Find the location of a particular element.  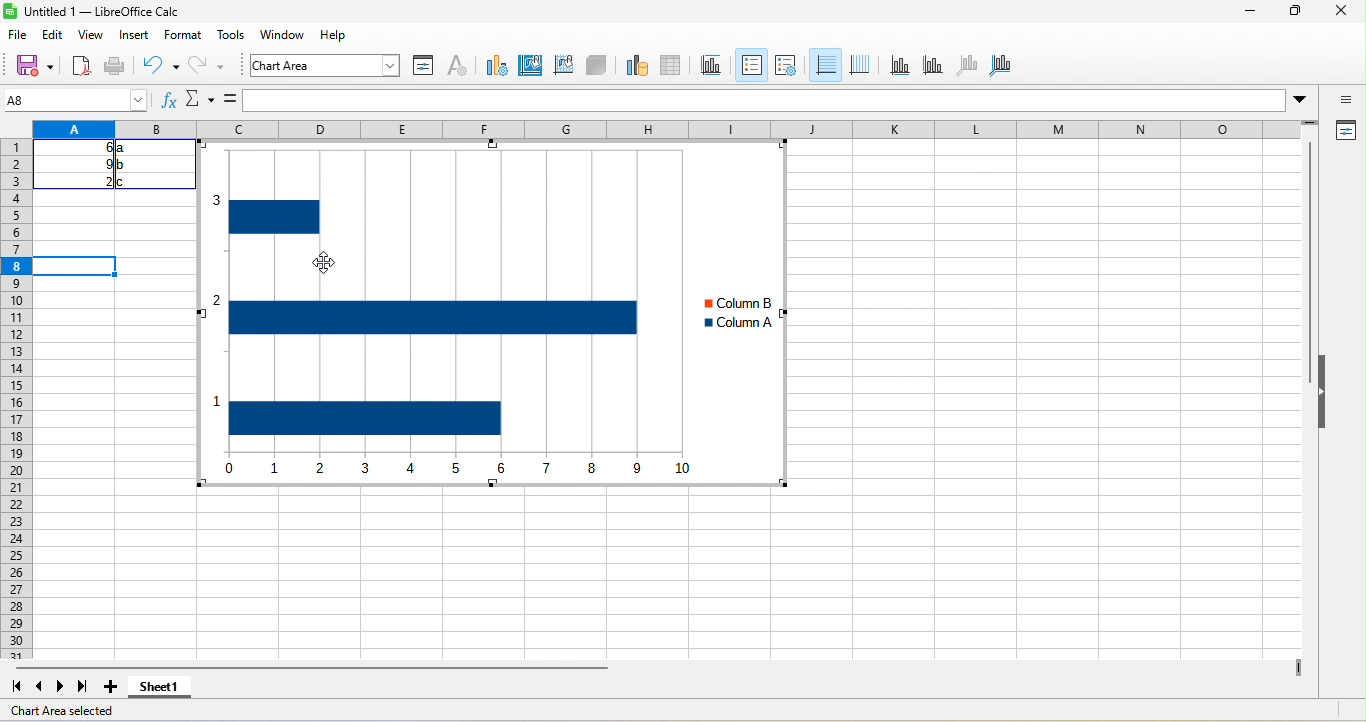

3d view is located at coordinates (595, 65).